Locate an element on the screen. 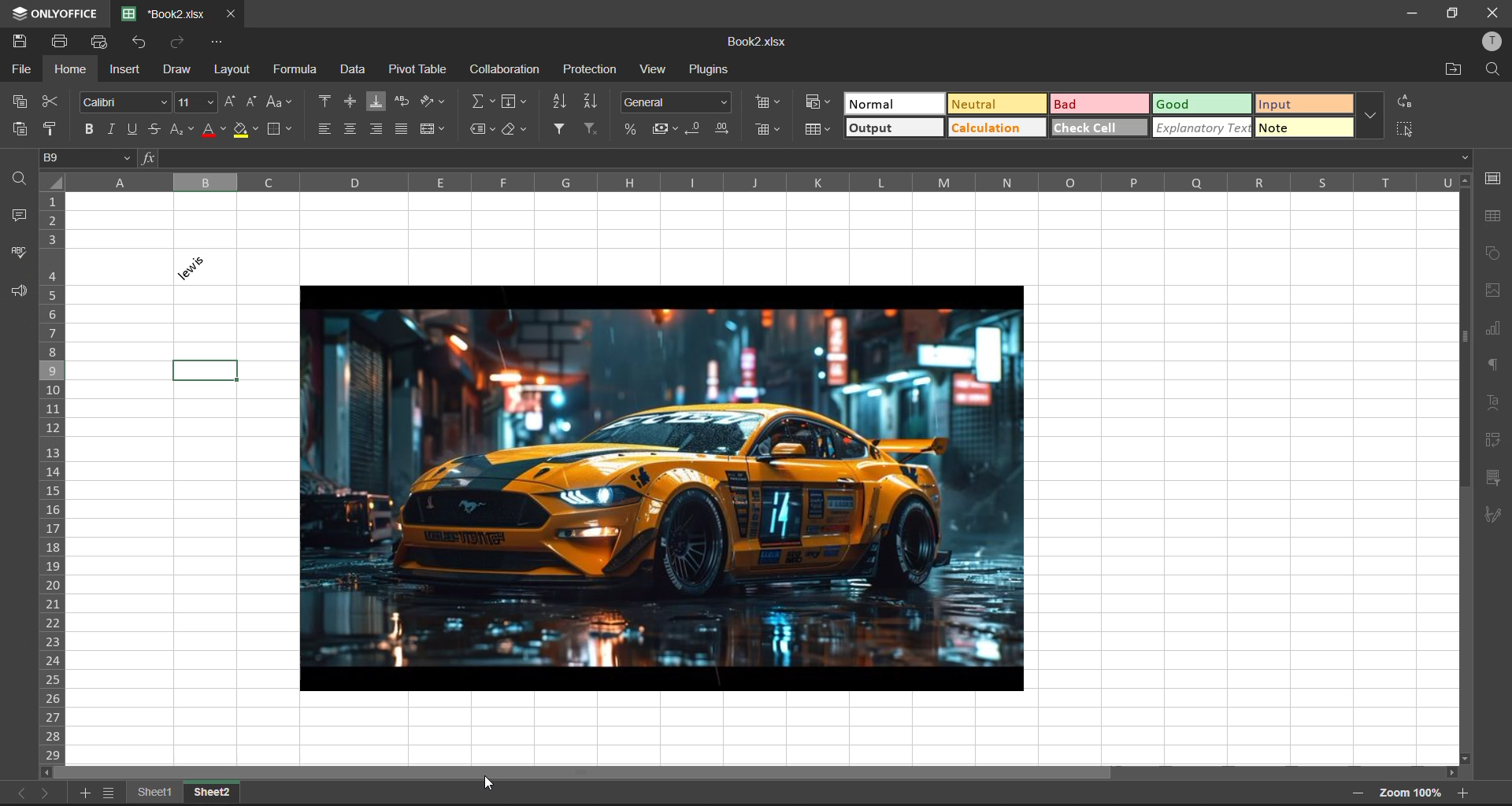 The height and width of the screenshot is (806, 1512). paragraph is located at coordinates (1491, 365).